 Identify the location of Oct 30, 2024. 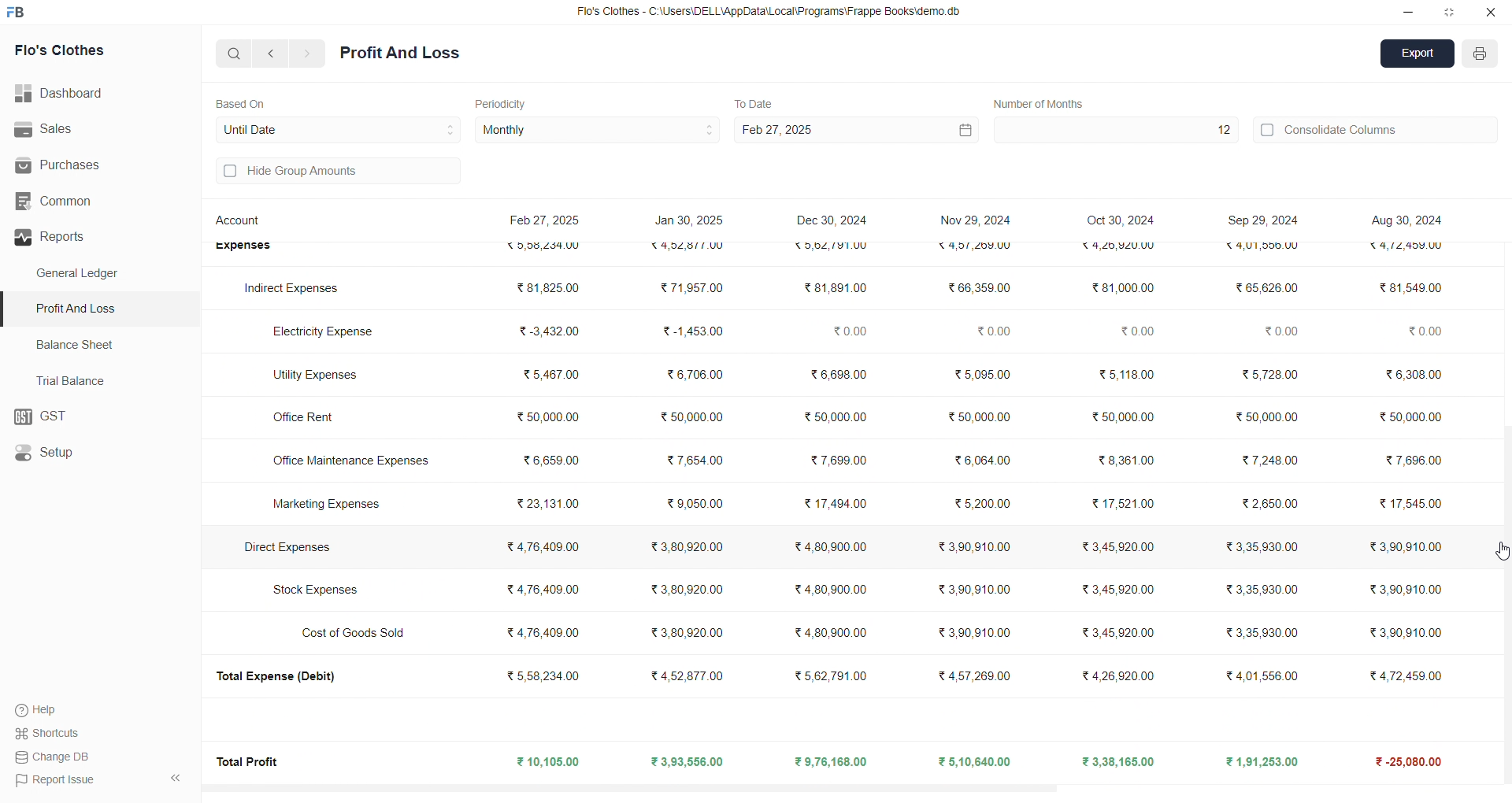
(1123, 221).